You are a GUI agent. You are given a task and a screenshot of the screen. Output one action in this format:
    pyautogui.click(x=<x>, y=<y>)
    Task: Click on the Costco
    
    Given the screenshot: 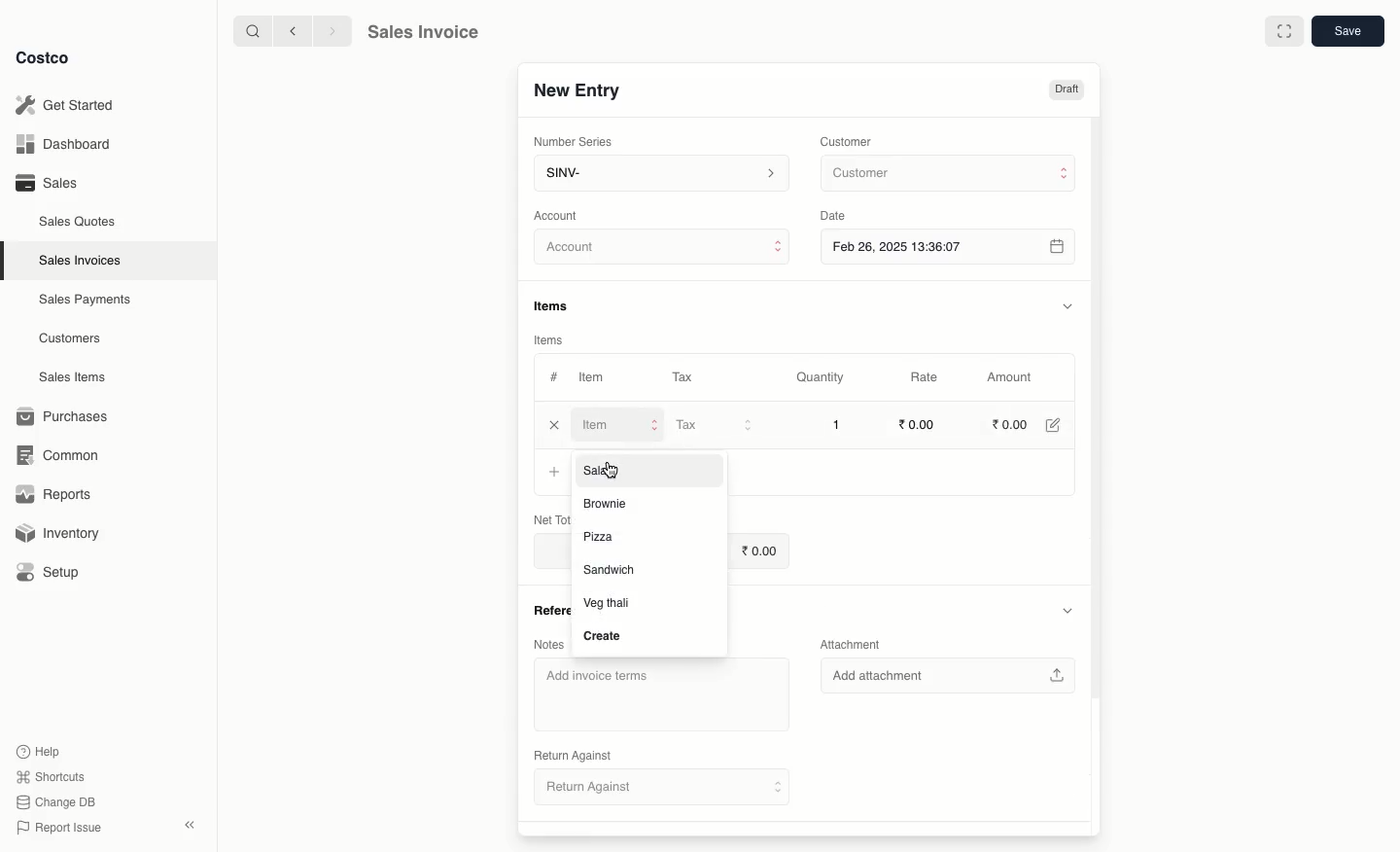 What is the action you would take?
    pyautogui.click(x=48, y=58)
    